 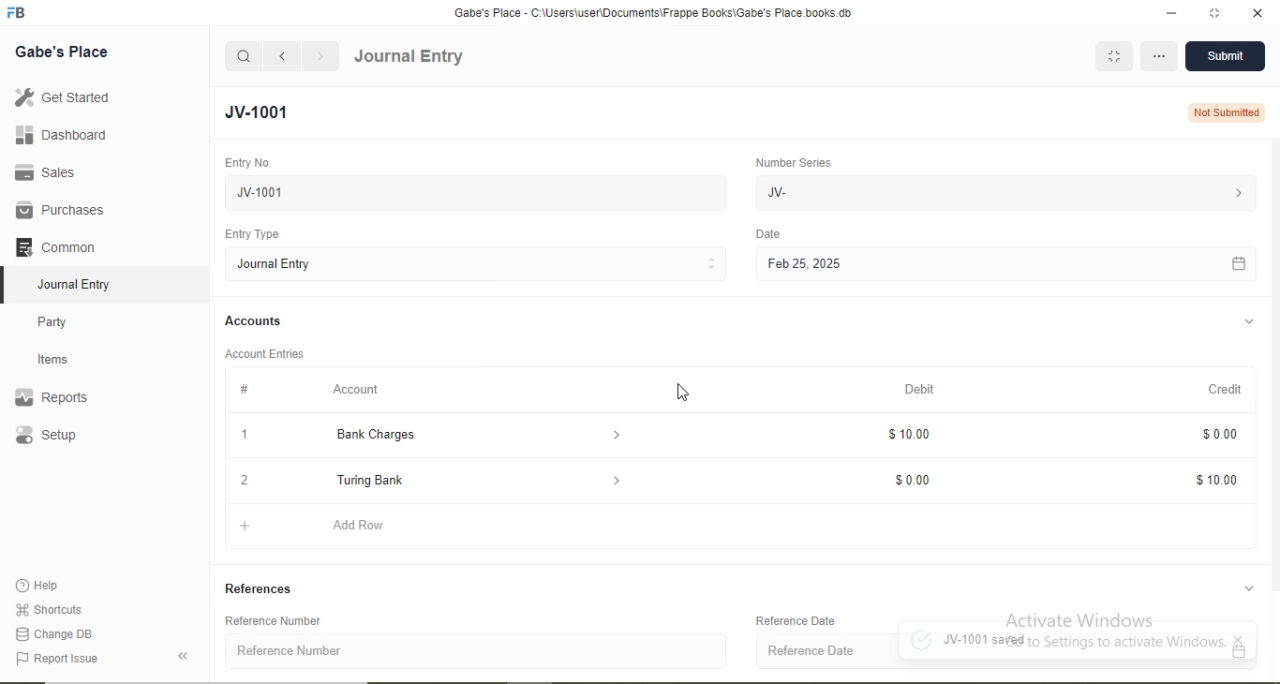 What do you see at coordinates (686, 393) in the screenshot?
I see `cursor` at bounding box center [686, 393].